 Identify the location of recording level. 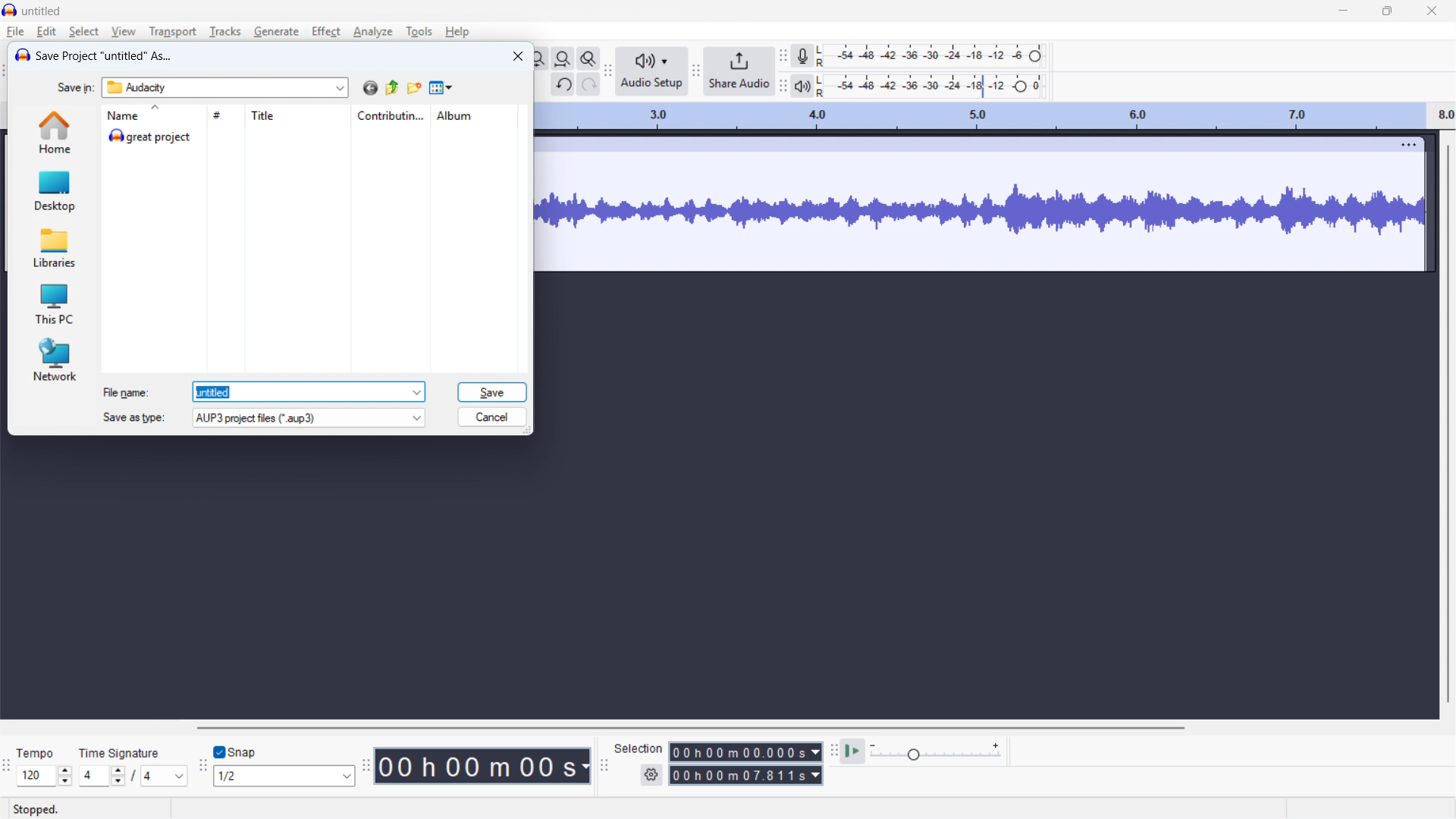
(936, 55).